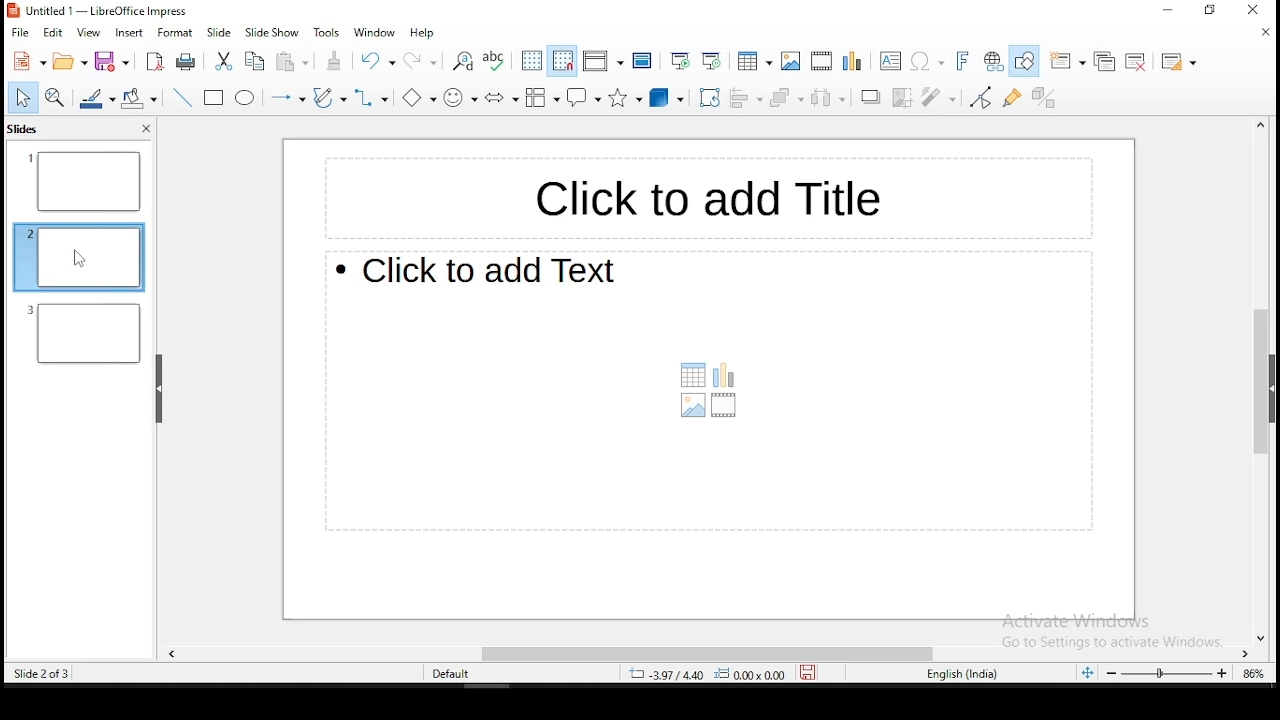 Image resolution: width=1280 pixels, height=720 pixels. What do you see at coordinates (1167, 673) in the screenshot?
I see `zoom slider` at bounding box center [1167, 673].